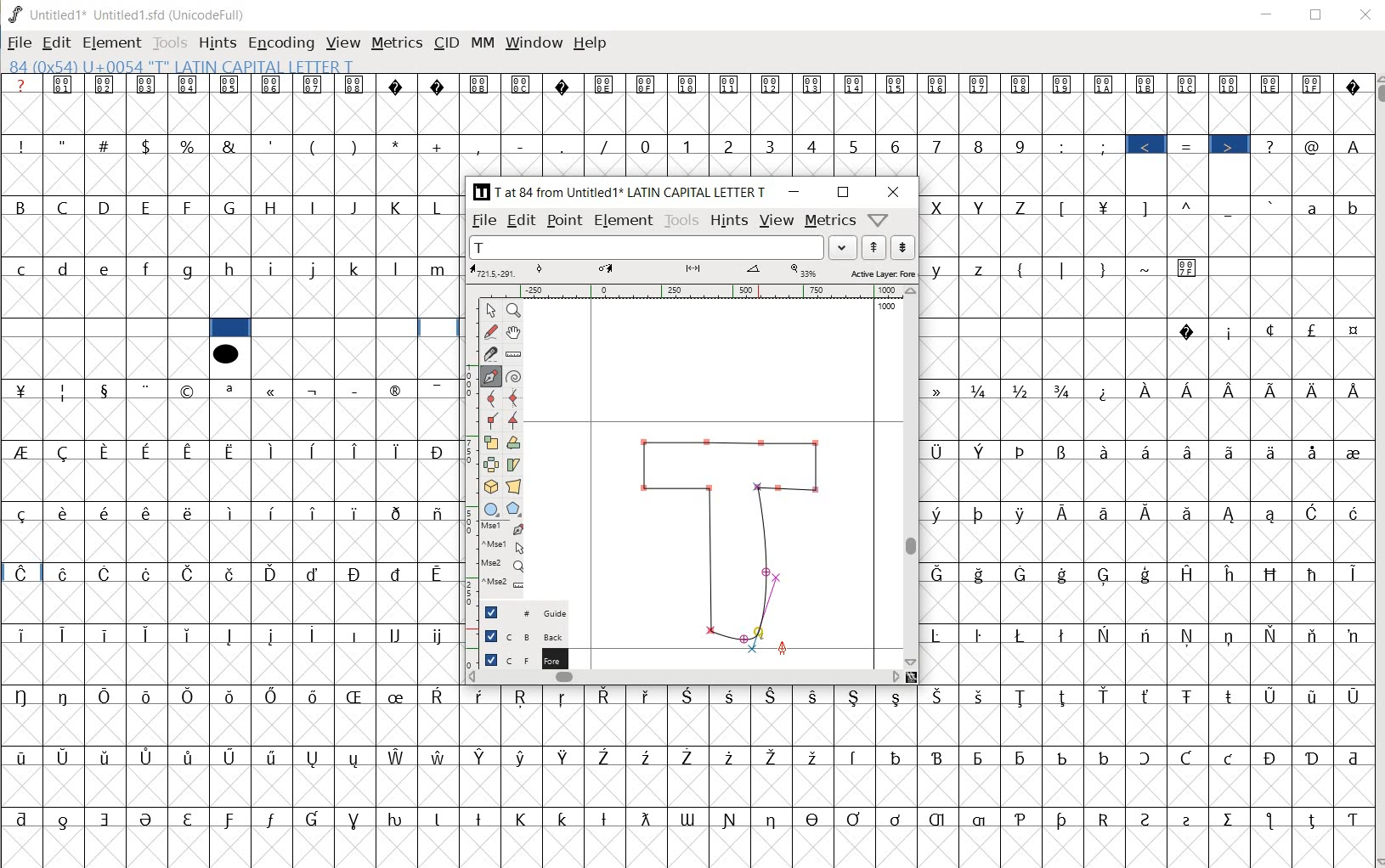  I want to click on next word, so click(904, 248).